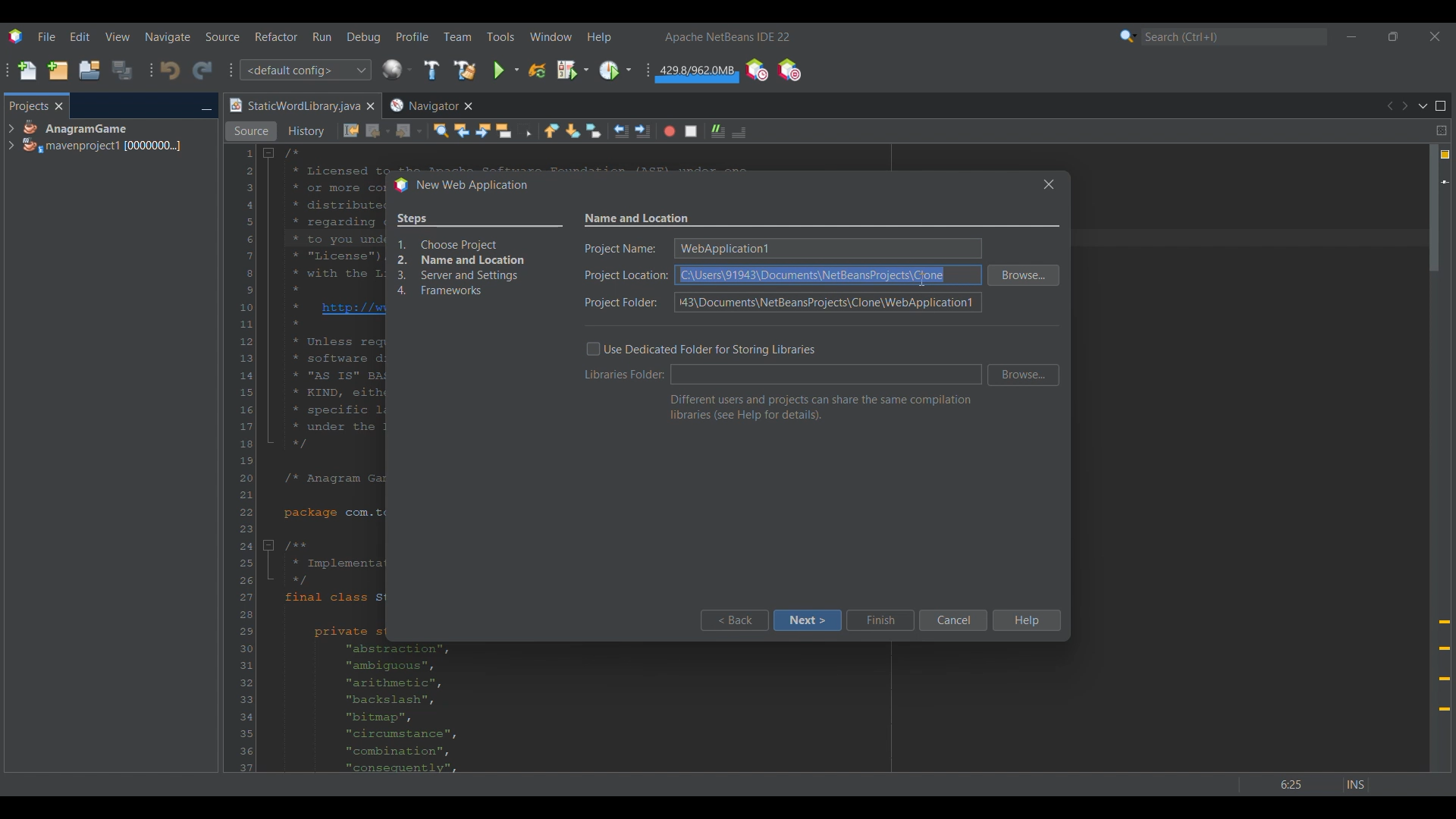  What do you see at coordinates (626, 276) in the screenshot?
I see `Indicates text box for each mentioned detail` at bounding box center [626, 276].